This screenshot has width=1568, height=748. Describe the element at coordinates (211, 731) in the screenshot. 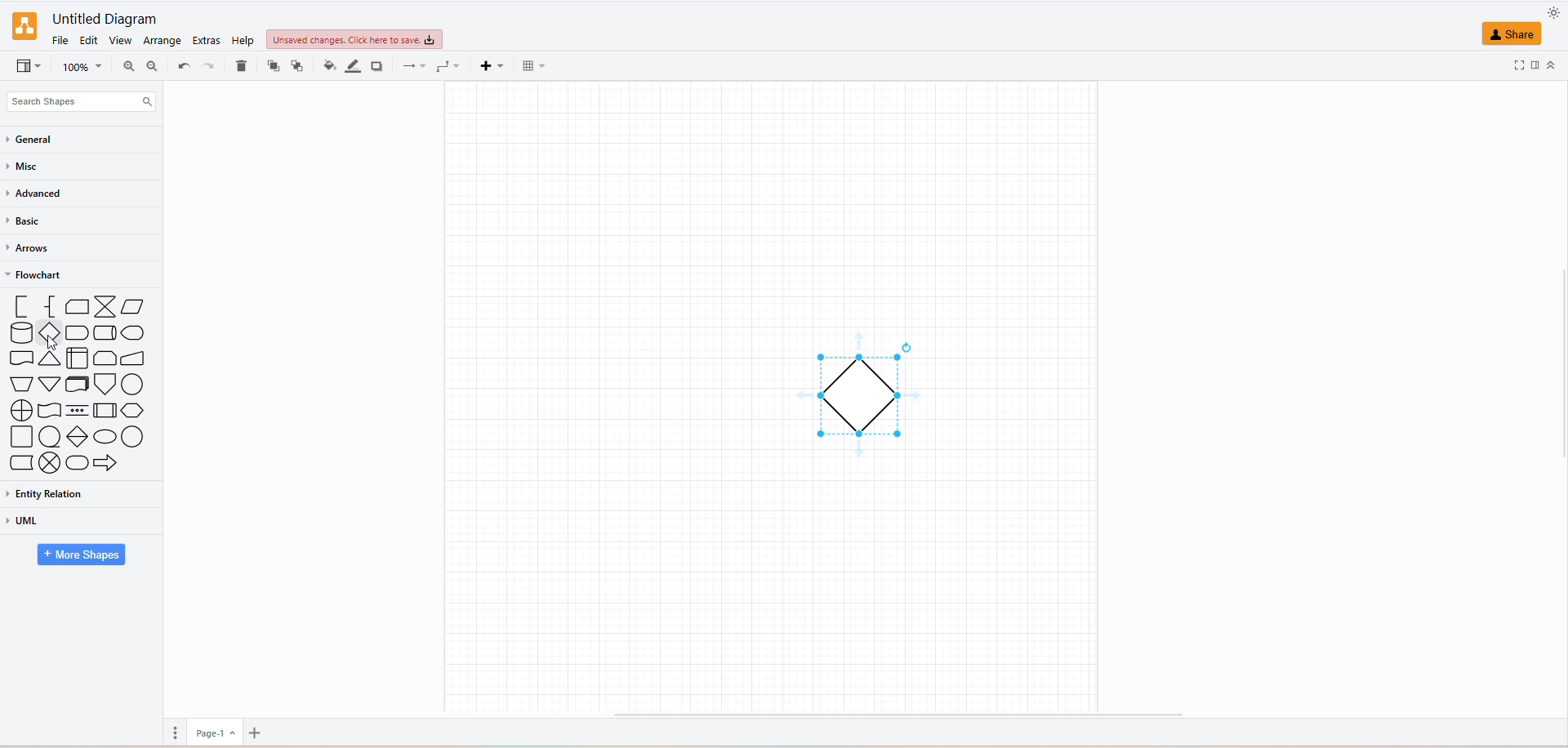

I see `page 1` at that location.